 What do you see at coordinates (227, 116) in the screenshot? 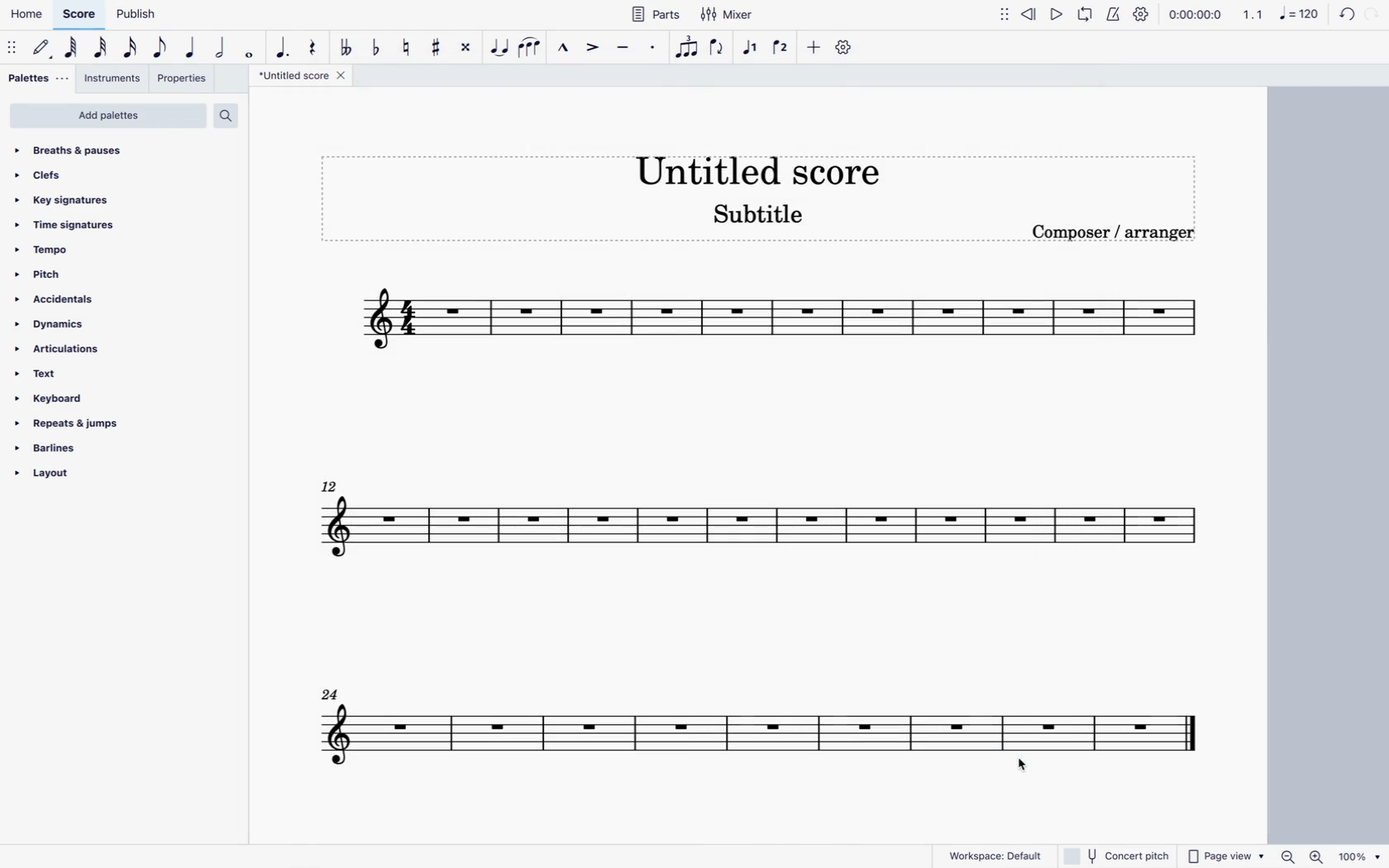
I see `search` at bounding box center [227, 116].